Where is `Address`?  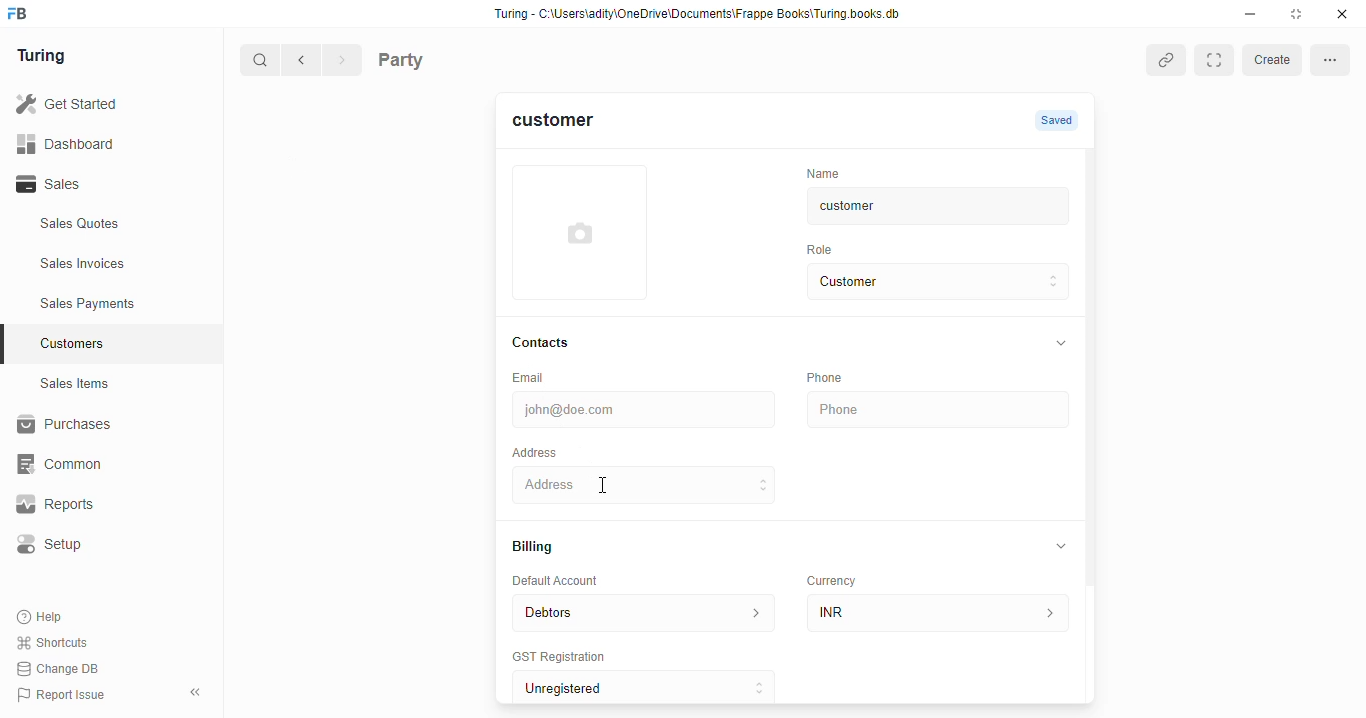 Address is located at coordinates (534, 450).